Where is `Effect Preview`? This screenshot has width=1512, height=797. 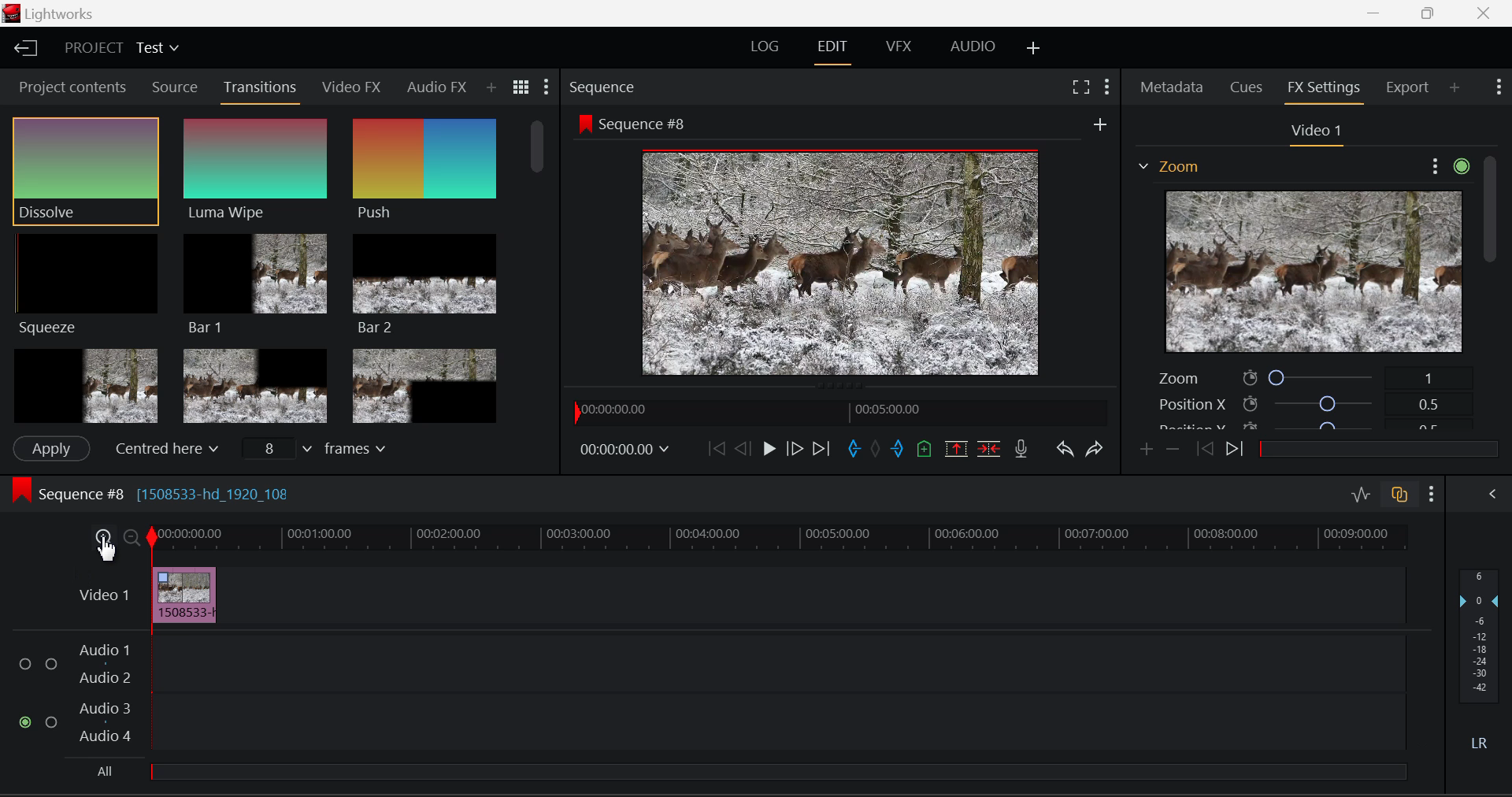 Effect Preview is located at coordinates (1317, 271).